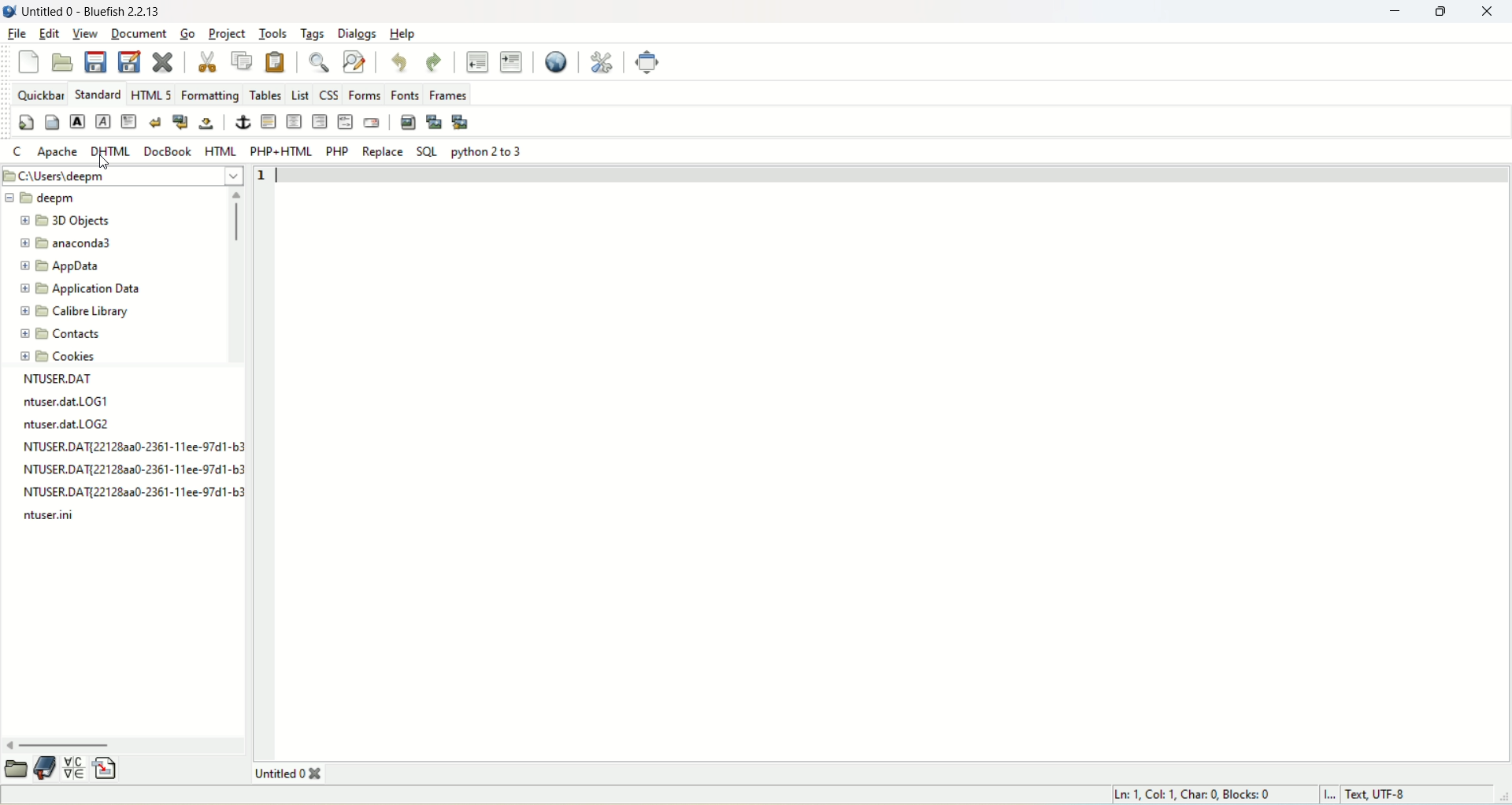  I want to click on forms, so click(365, 93).